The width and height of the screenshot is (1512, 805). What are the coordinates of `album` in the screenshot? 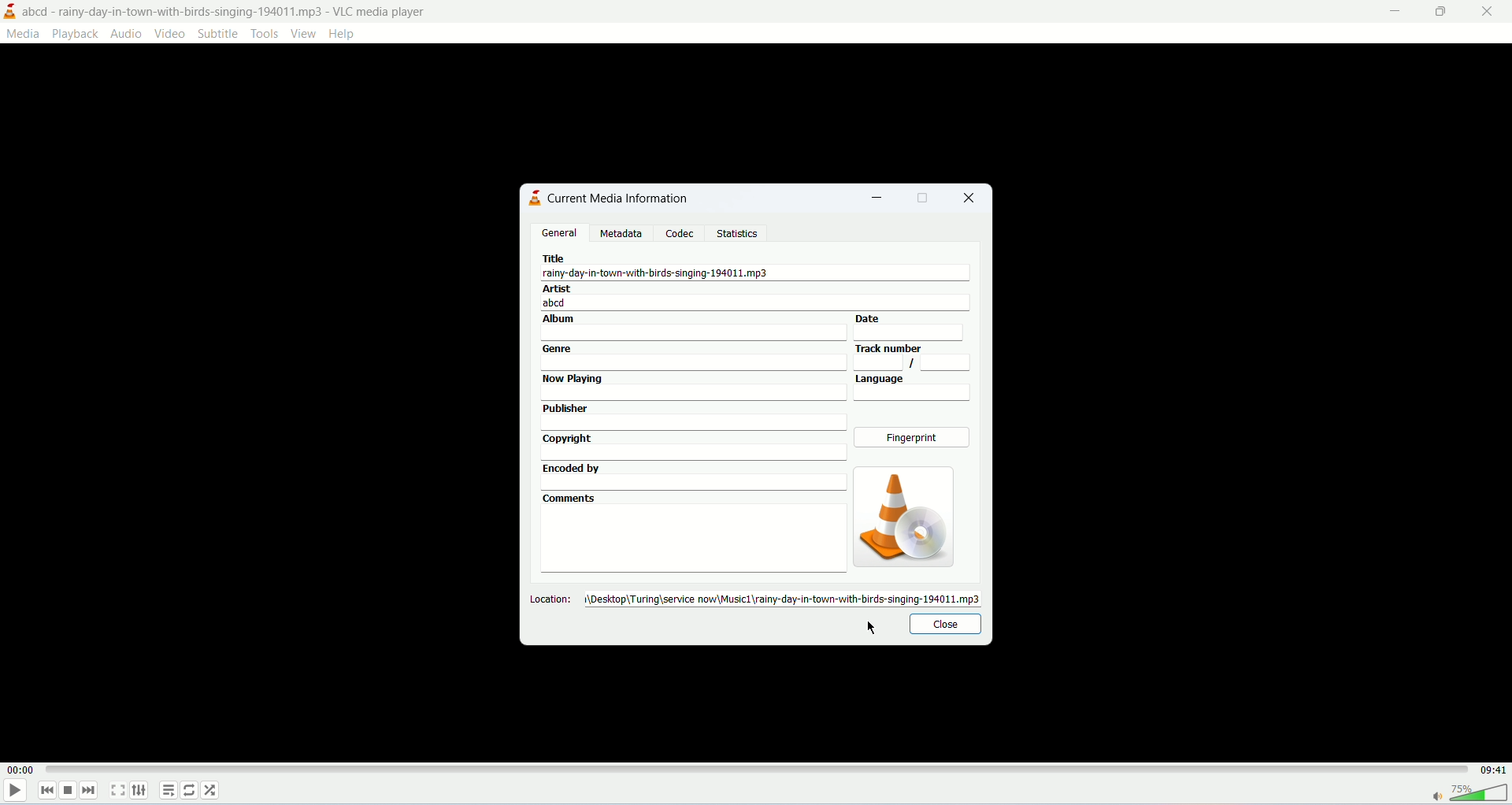 It's located at (692, 327).